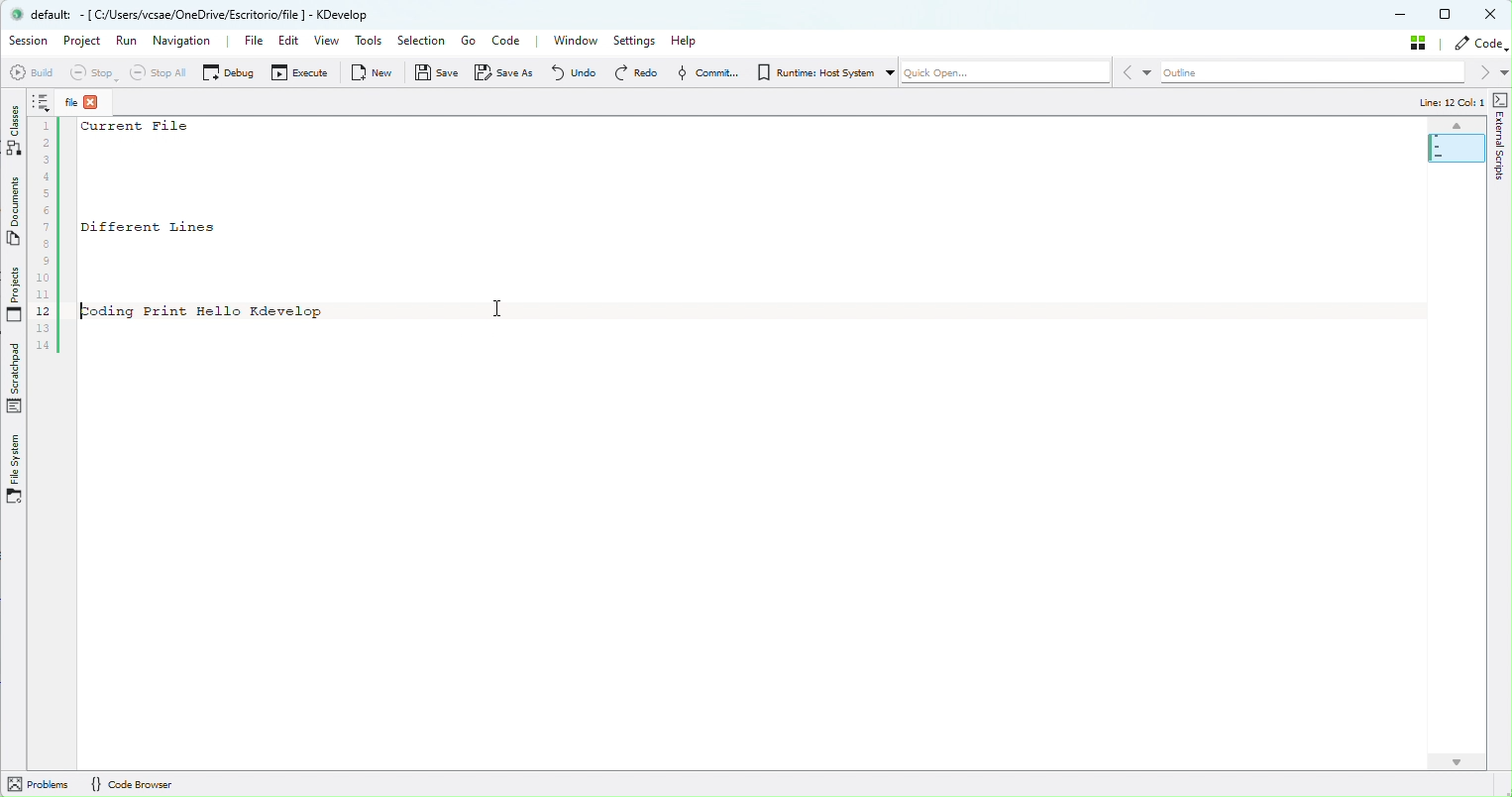 The height and width of the screenshot is (797, 1512). What do you see at coordinates (229, 72) in the screenshot?
I see `Debug` at bounding box center [229, 72].